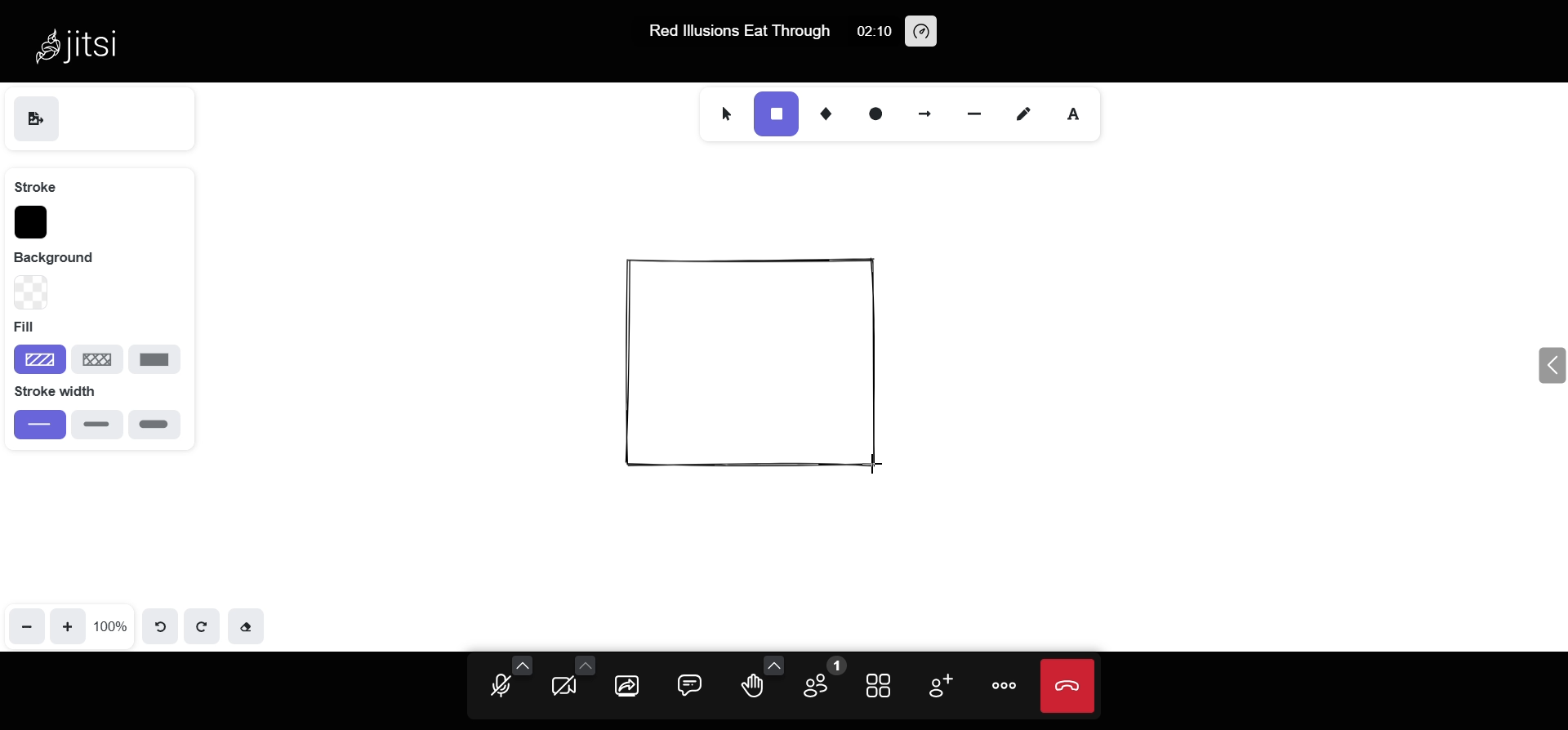 This screenshot has width=1568, height=730. Describe the element at coordinates (248, 628) in the screenshot. I see `eraser` at that location.